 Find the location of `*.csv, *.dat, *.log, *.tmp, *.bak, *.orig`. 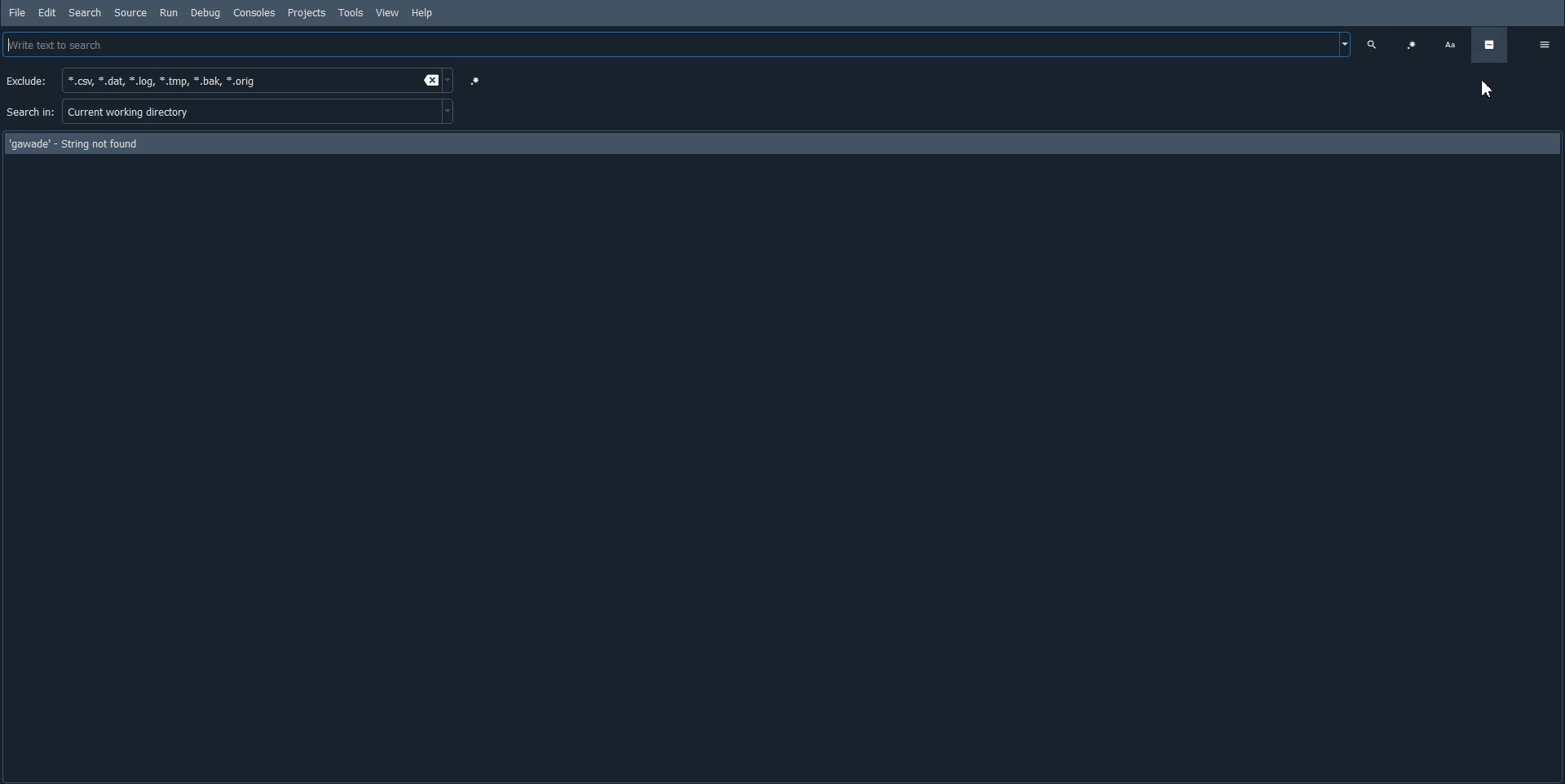

*.csv, *.dat, *.log, *.tmp, *.bak, *.orig is located at coordinates (231, 78).